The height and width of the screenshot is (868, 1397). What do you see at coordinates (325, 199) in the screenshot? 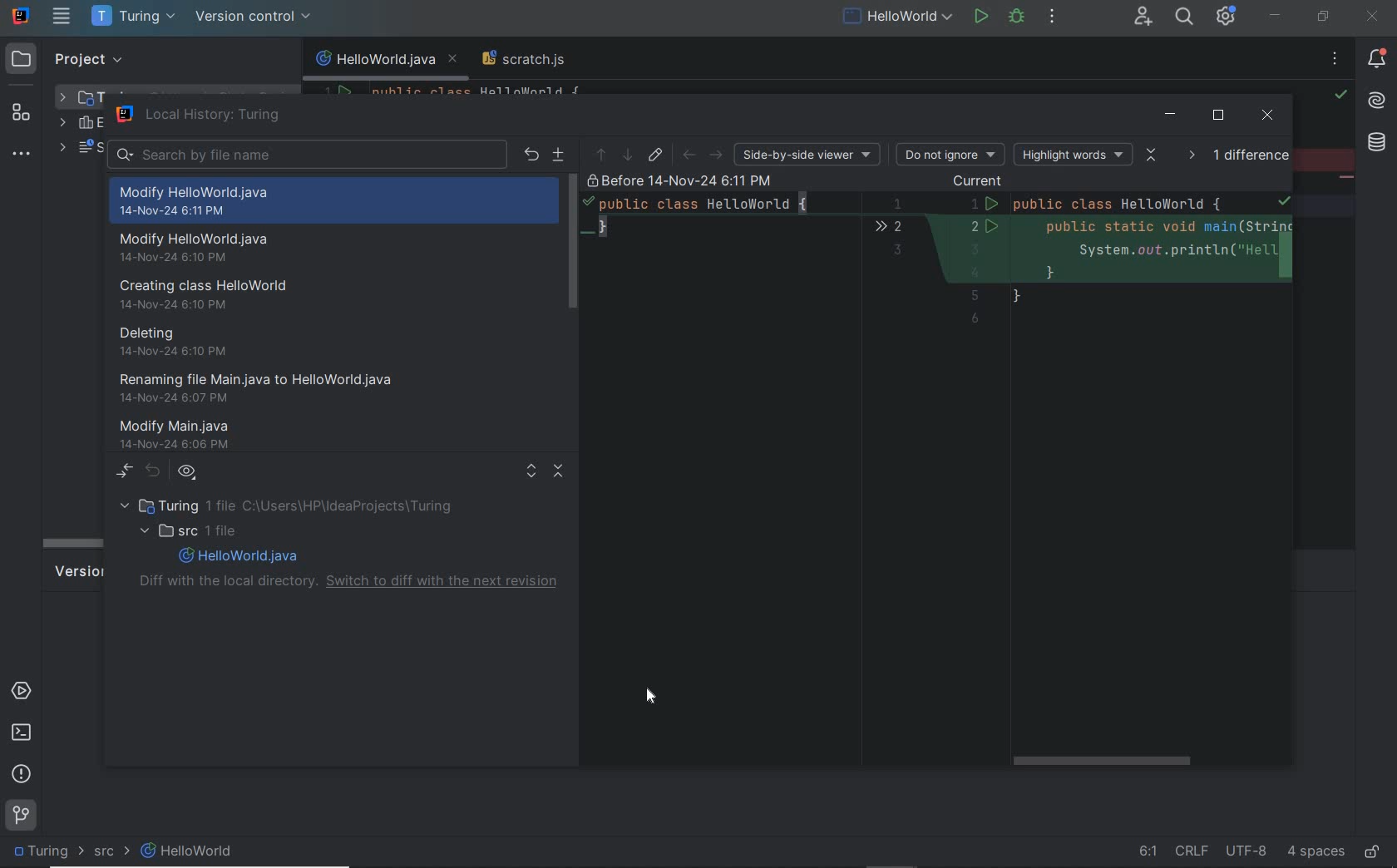
I see `modify helloworld.java` at bounding box center [325, 199].